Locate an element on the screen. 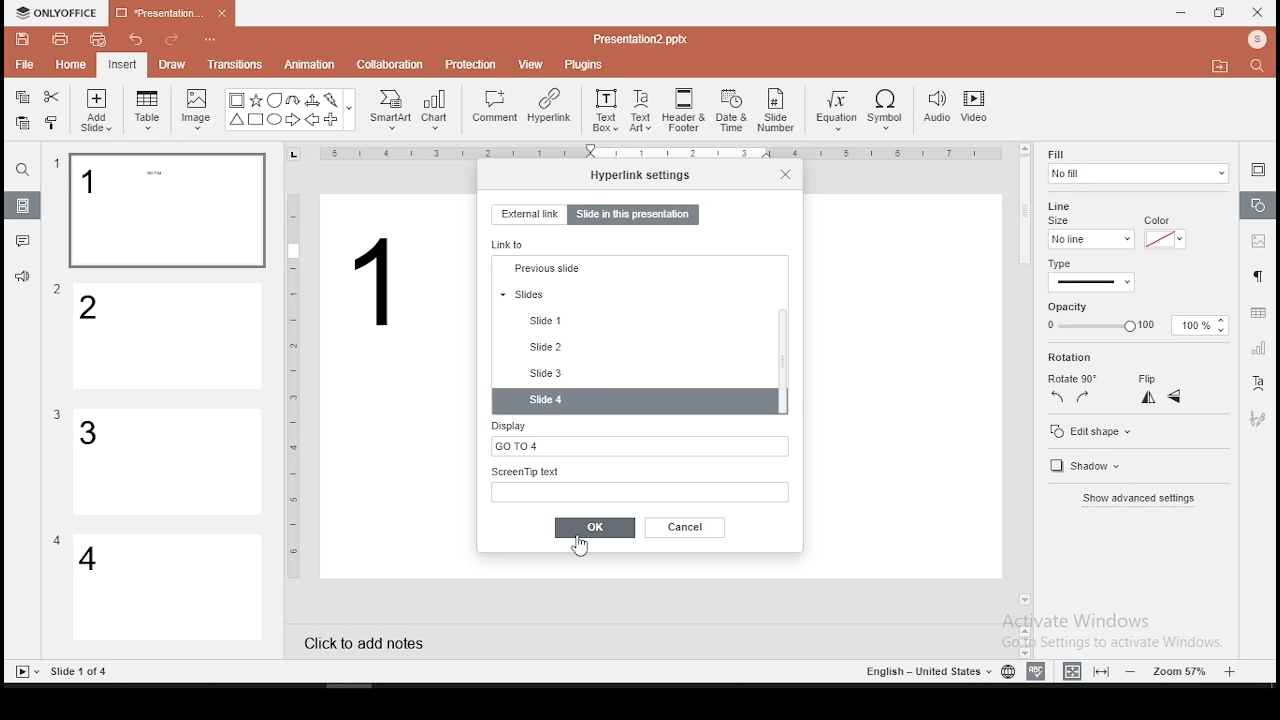 The width and height of the screenshot is (1280, 720).  is located at coordinates (57, 415).